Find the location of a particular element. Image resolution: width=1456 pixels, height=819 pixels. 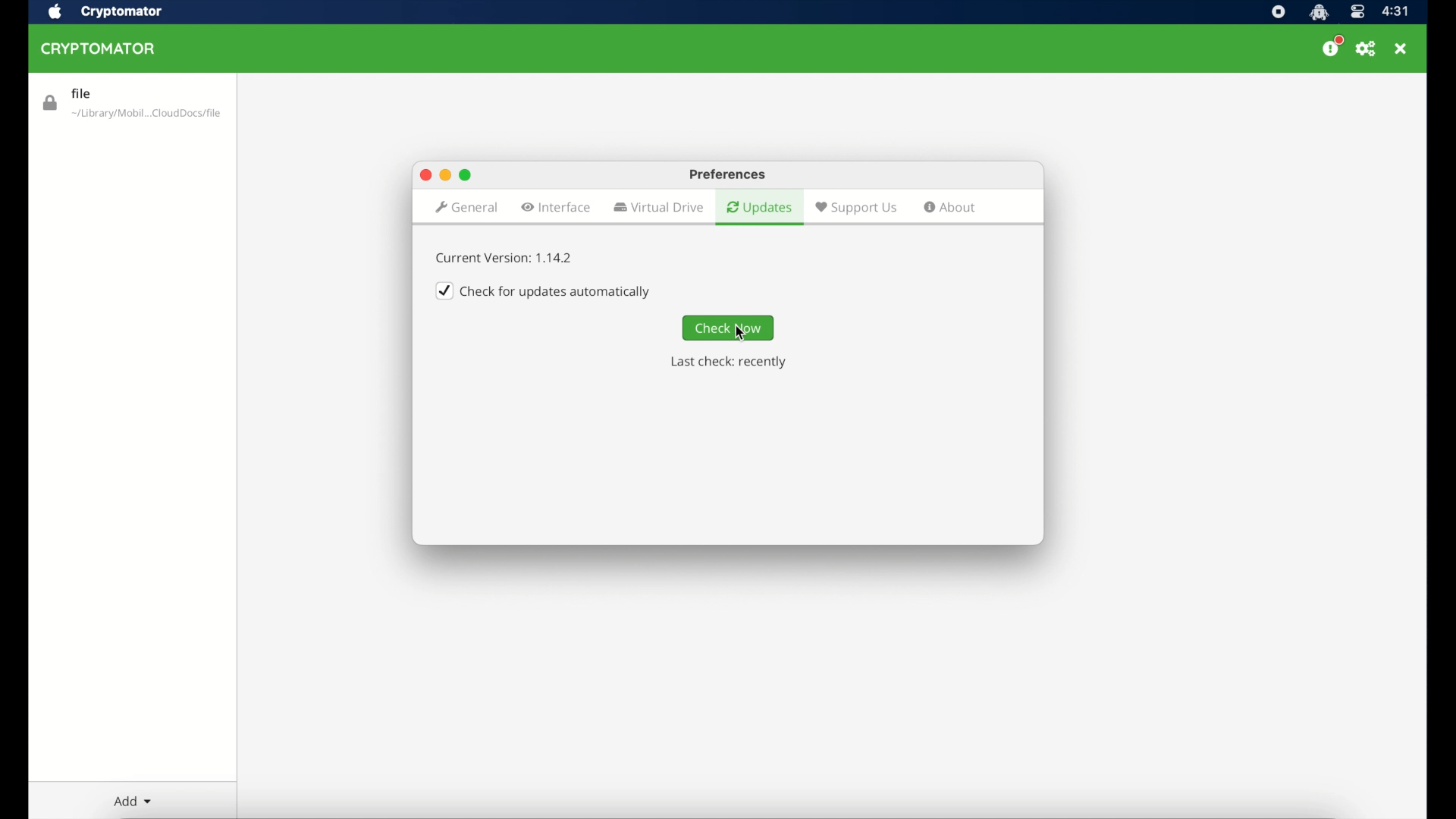

preferences is located at coordinates (1367, 49).